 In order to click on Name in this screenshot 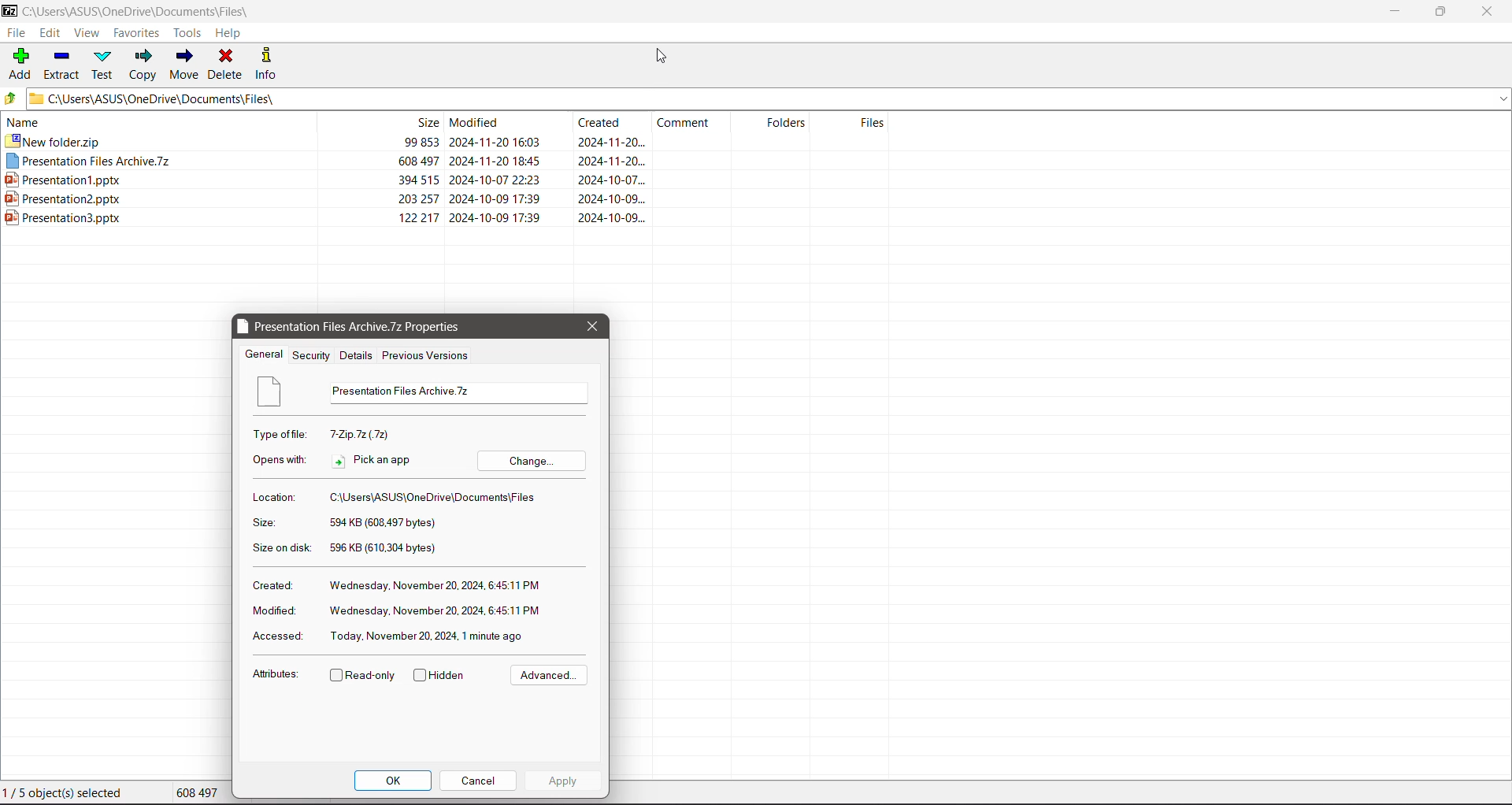, I will do `click(159, 122)`.